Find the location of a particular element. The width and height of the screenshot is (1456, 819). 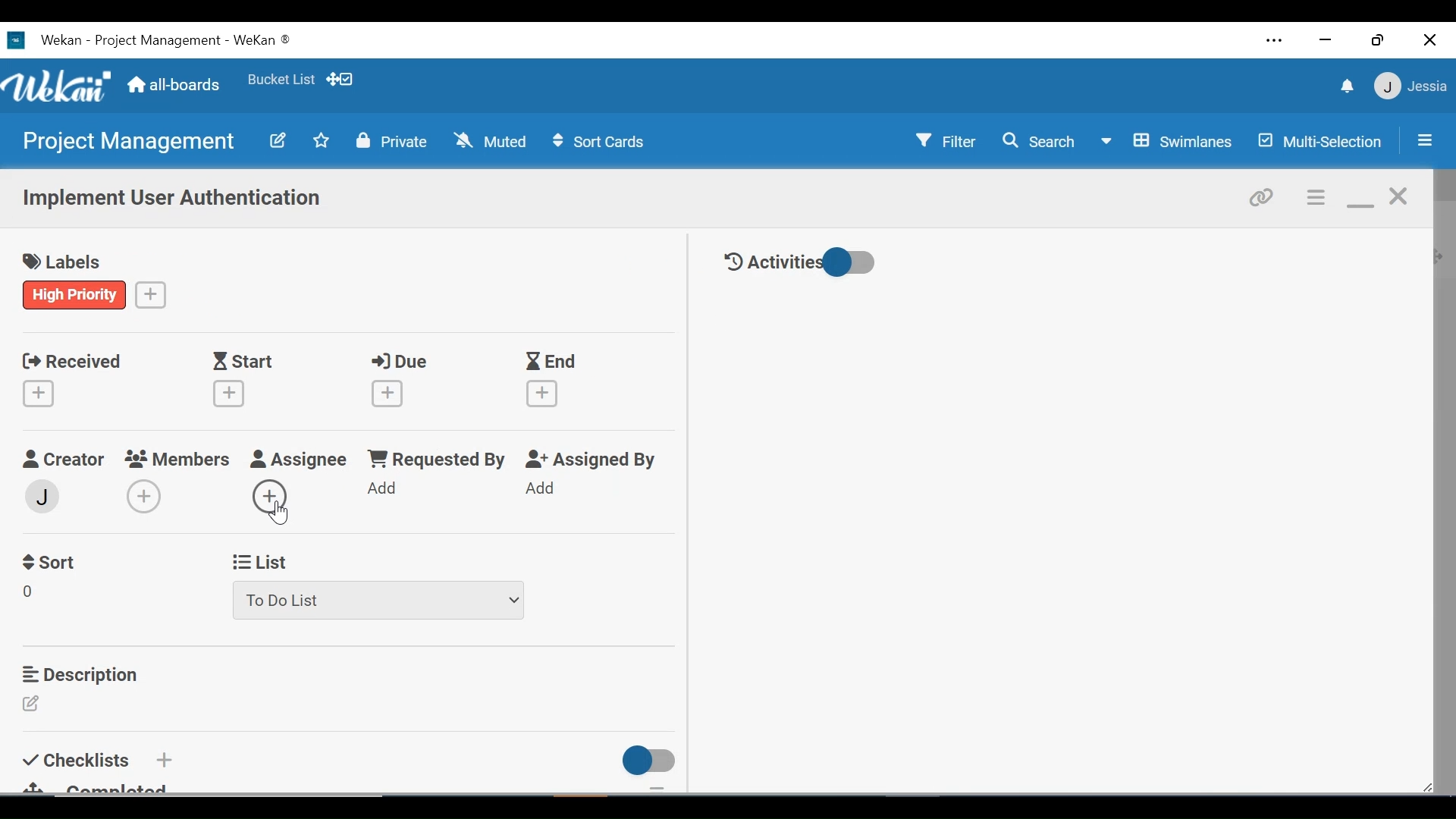

Toggle Activities on/off is located at coordinates (800, 263).